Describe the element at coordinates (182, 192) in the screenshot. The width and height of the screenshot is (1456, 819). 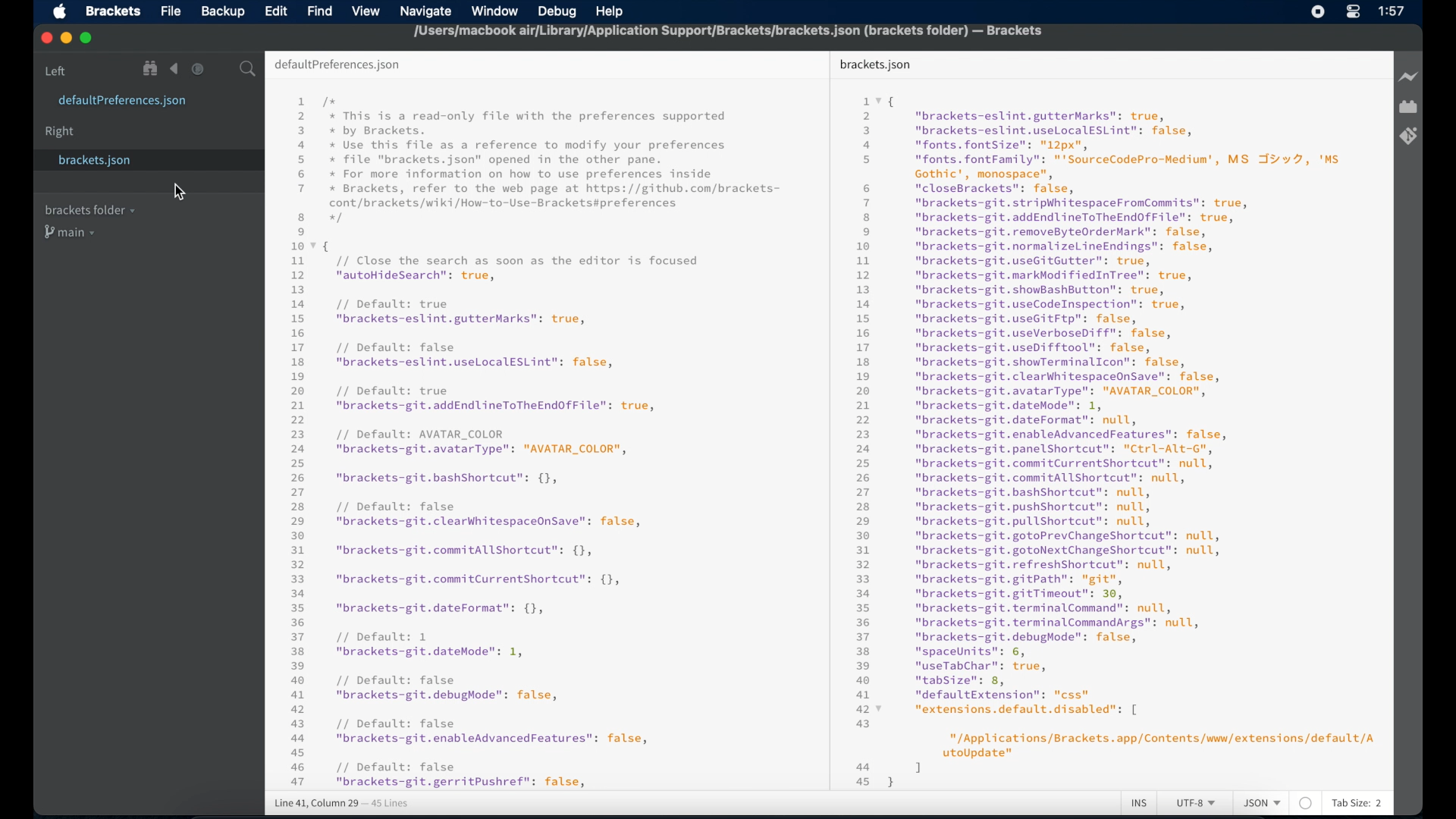
I see `cursor` at that location.